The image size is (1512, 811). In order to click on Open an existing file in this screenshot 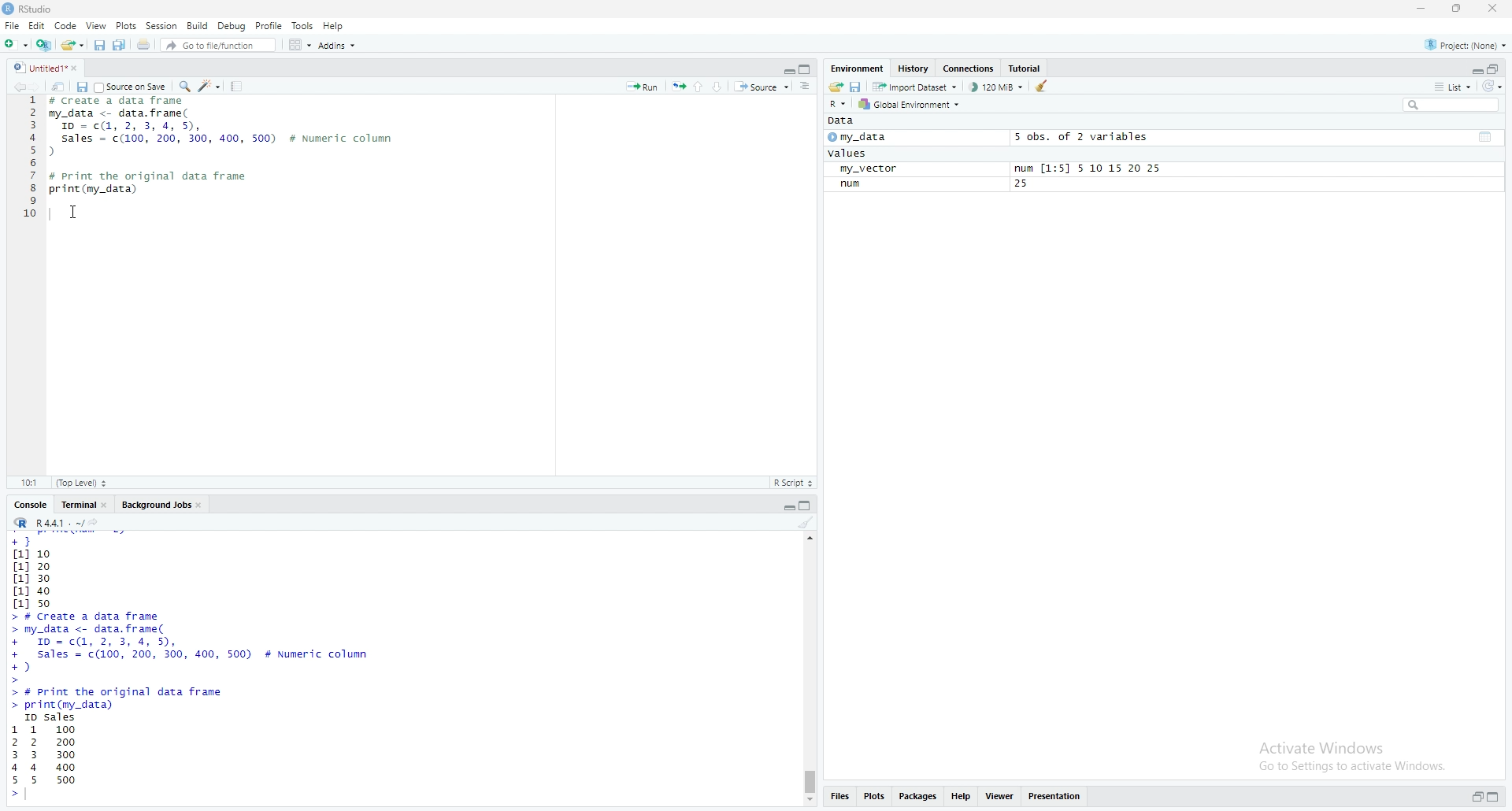, I will do `click(73, 46)`.